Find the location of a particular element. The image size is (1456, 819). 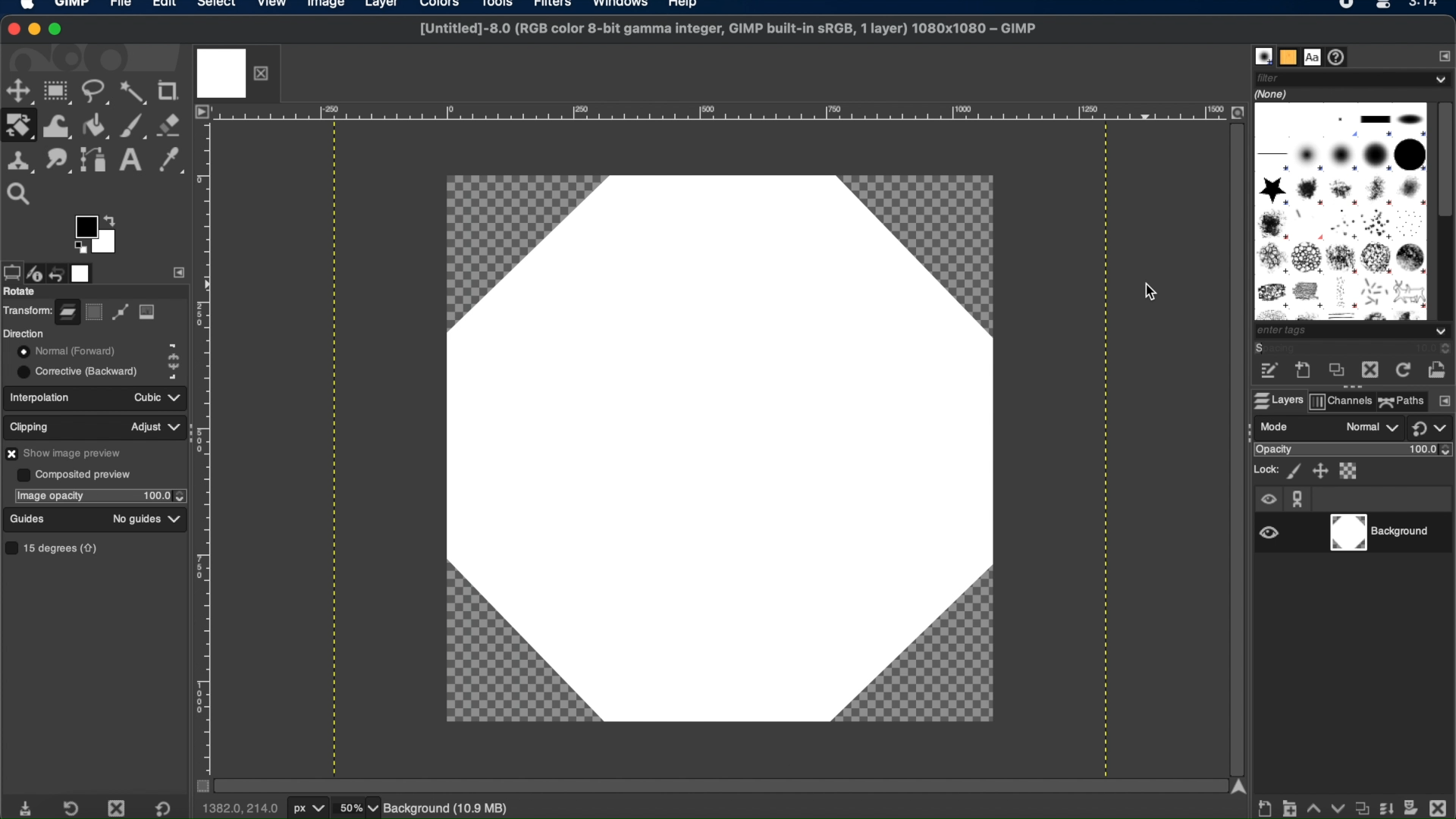

free select tool is located at coordinates (96, 93).